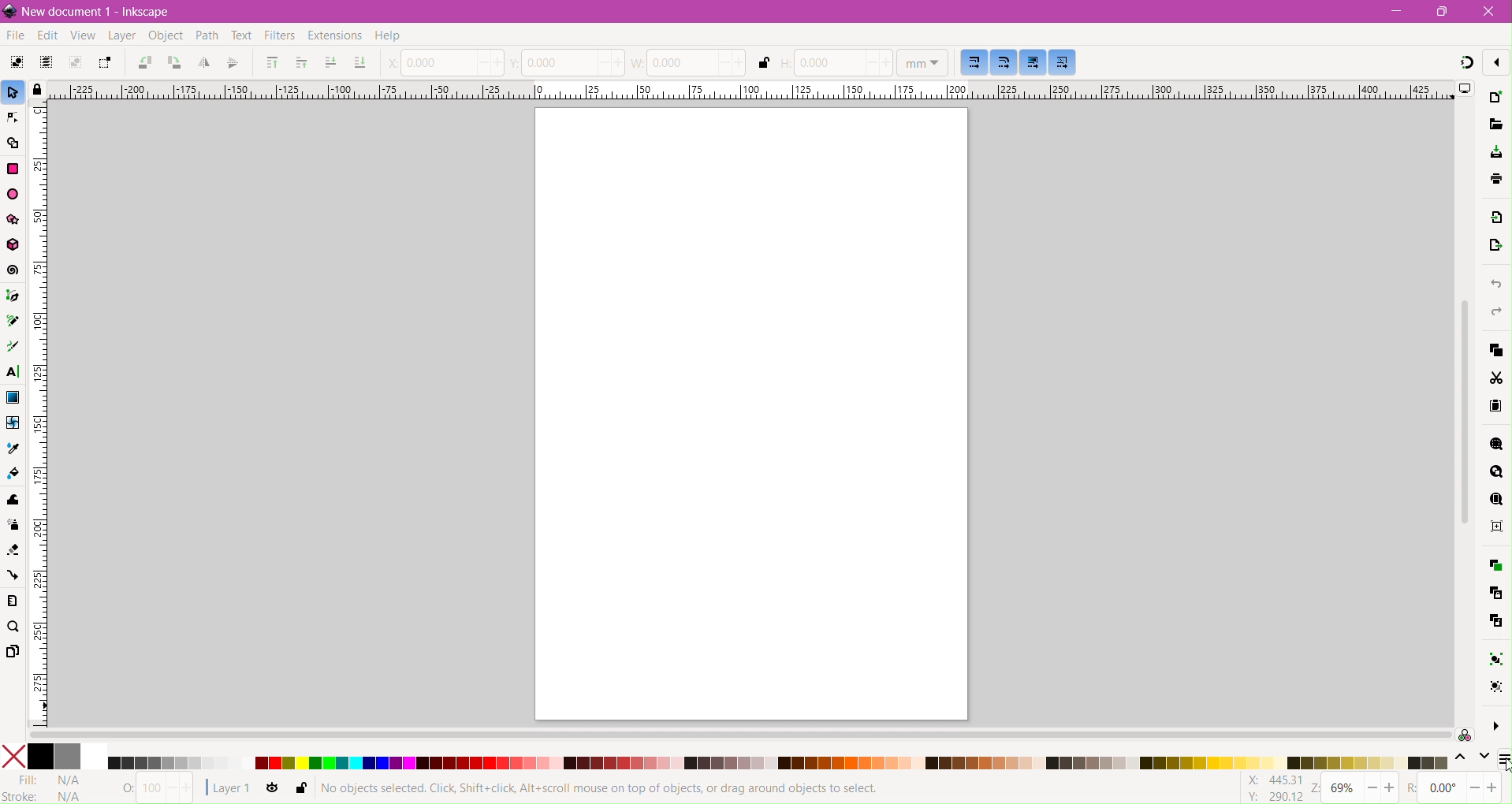 The width and height of the screenshot is (1512, 804). I want to click on Measure Tool, so click(13, 602).